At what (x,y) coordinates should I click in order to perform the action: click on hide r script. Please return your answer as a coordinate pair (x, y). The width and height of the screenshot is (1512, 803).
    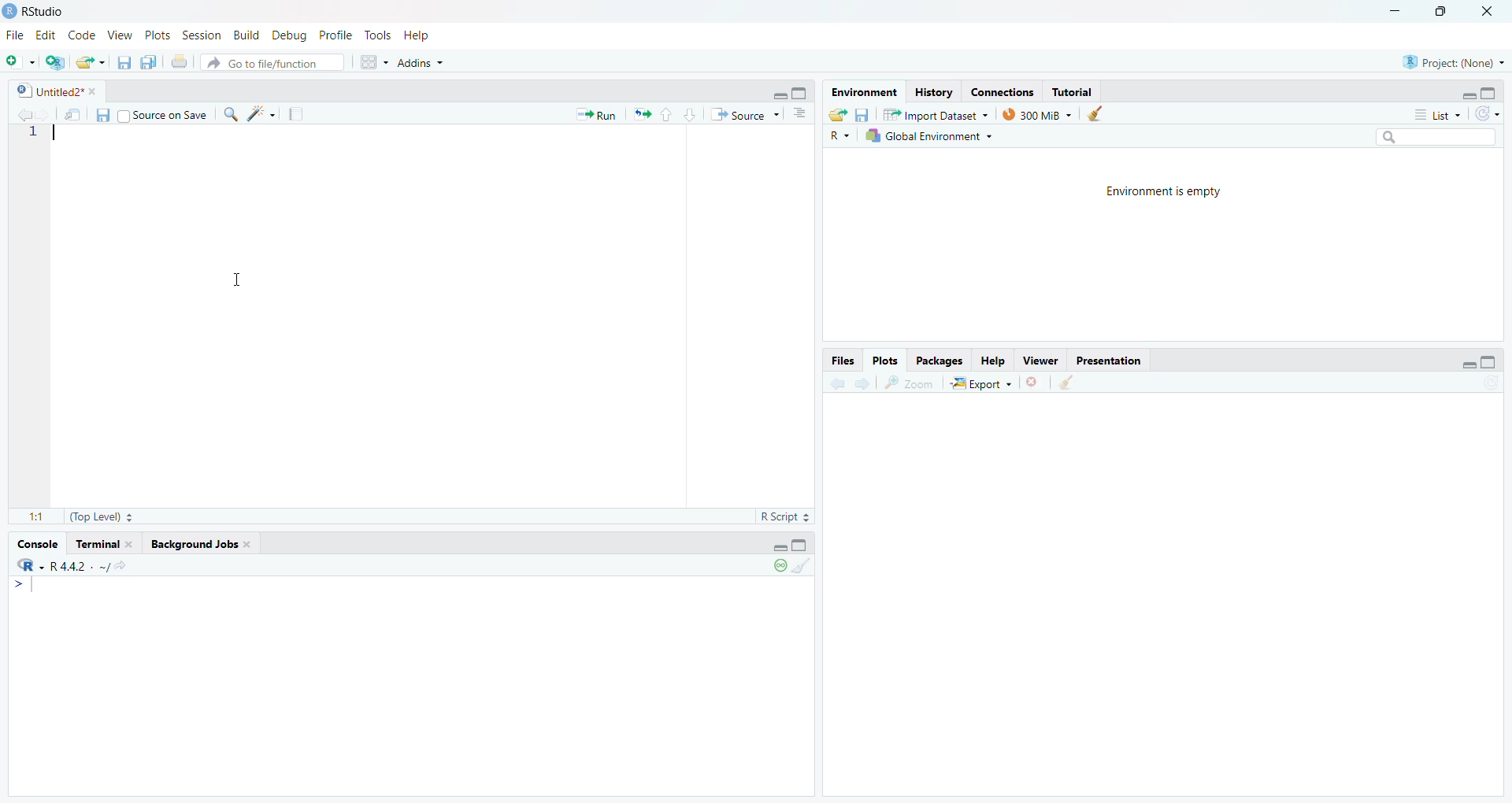
    Looking at the image, I should click on (1466, 362).